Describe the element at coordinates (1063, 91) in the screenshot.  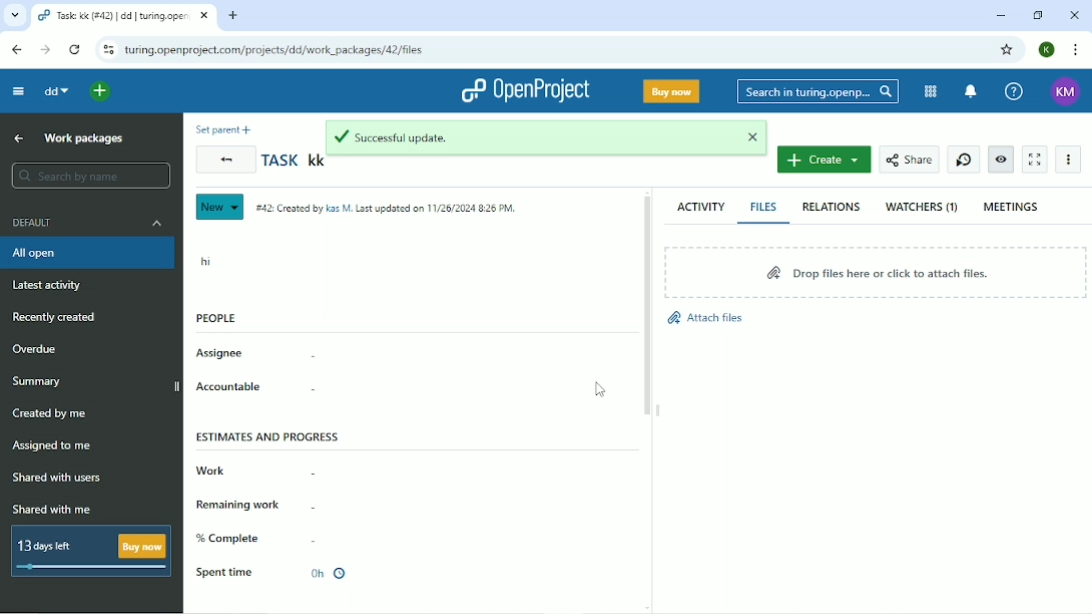
I see `KM` at that location.